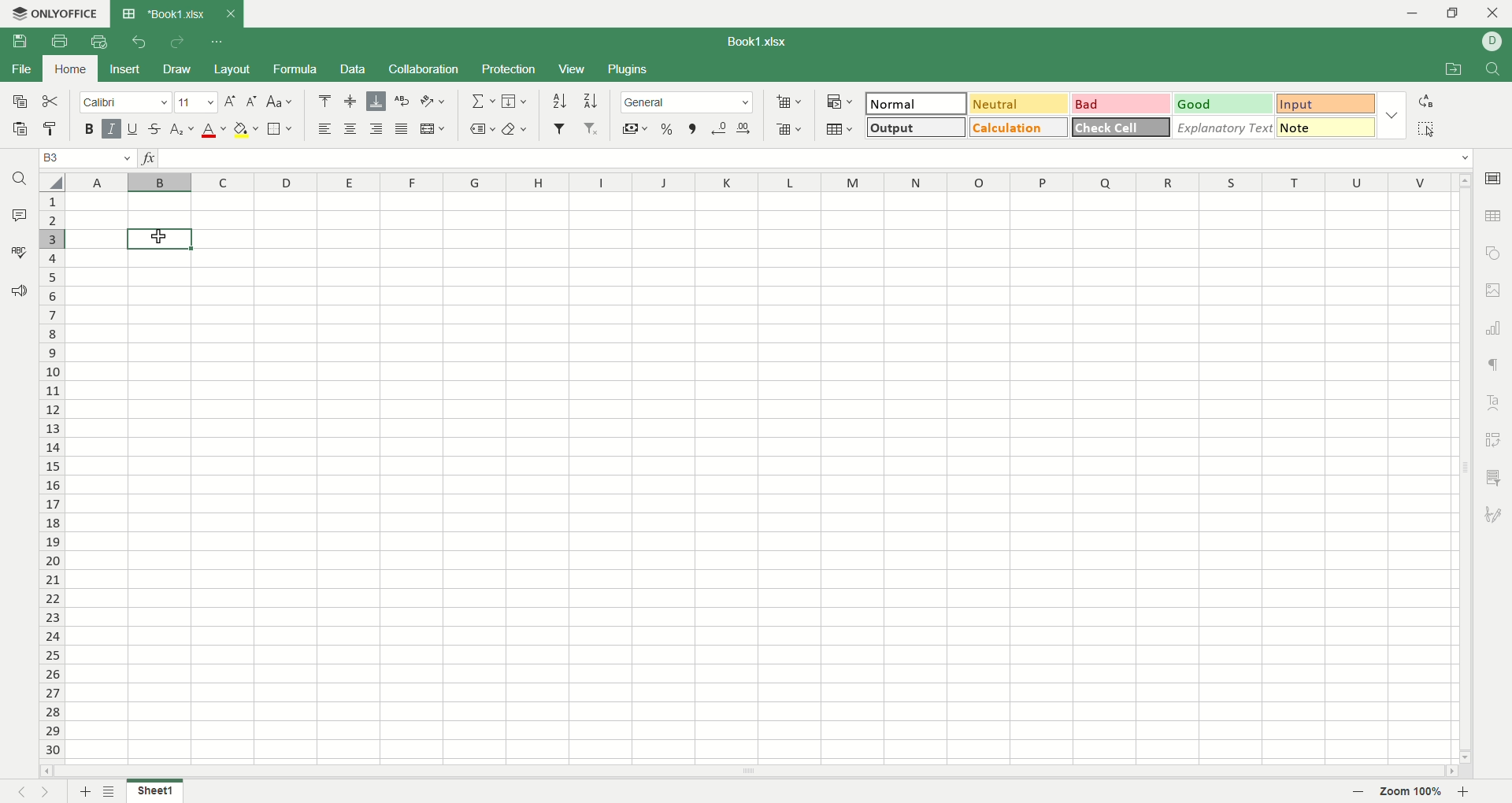 This screenshot has width=1512, height=803. What do you see at coordinates (282, 129) in the screenshot?
I see `border` at bounding box center [282, 129].